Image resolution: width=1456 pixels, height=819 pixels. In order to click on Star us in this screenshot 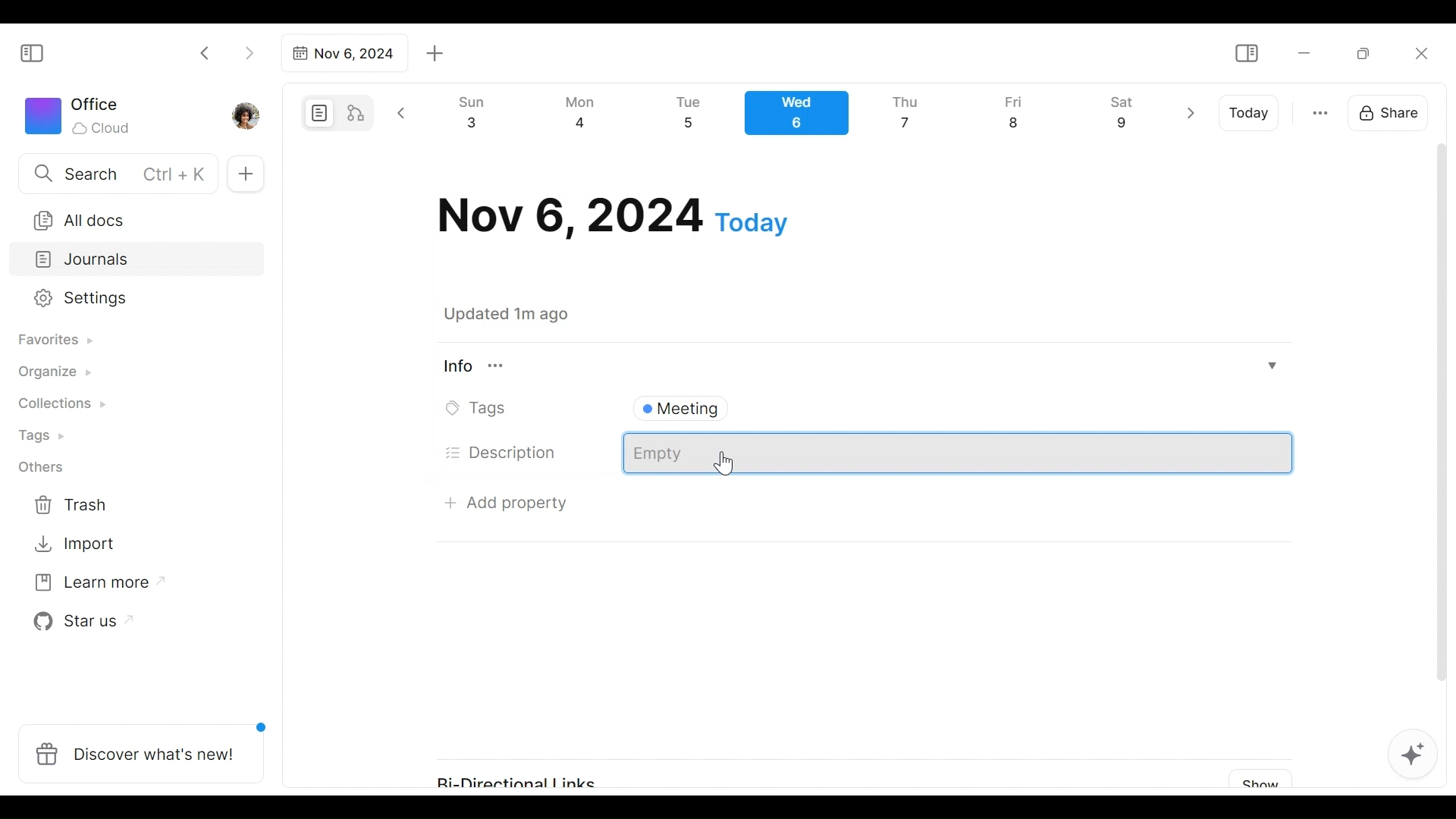, I will do `click(79, 622)`.